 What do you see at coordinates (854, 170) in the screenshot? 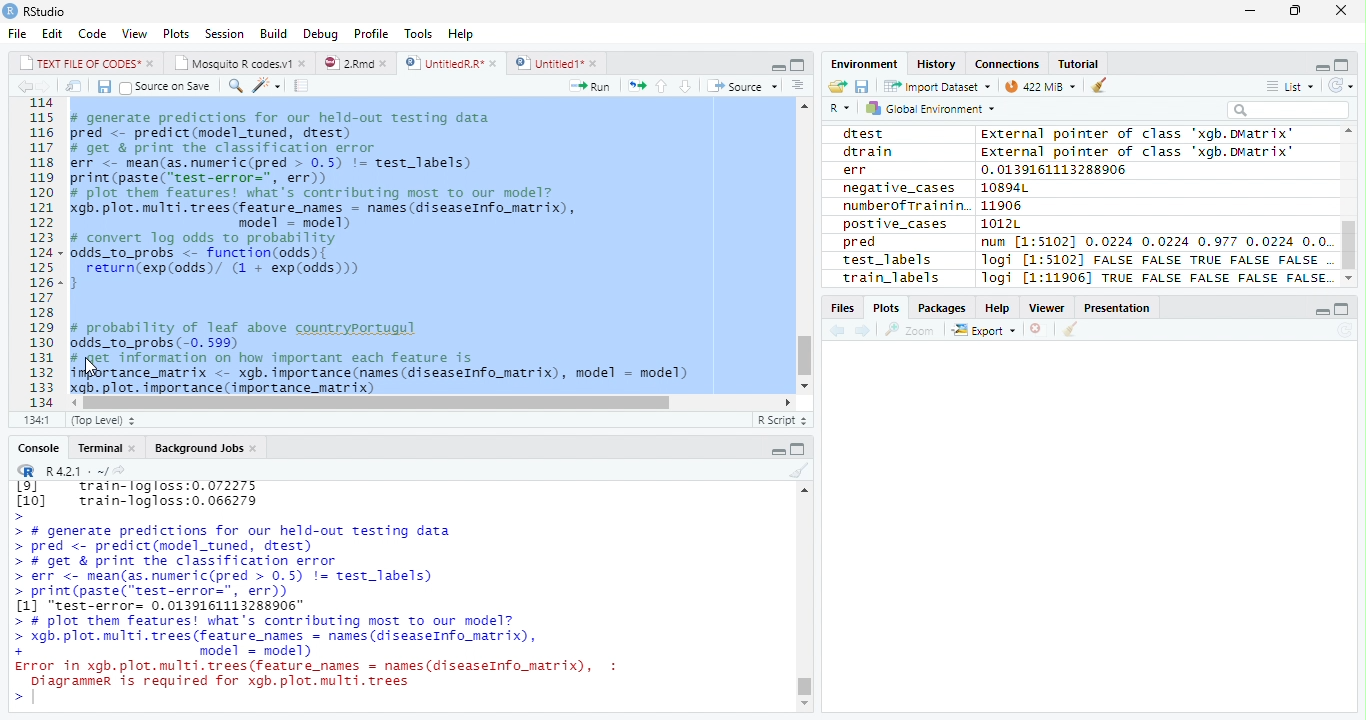
I see `err` at bounding box center [854, 170].